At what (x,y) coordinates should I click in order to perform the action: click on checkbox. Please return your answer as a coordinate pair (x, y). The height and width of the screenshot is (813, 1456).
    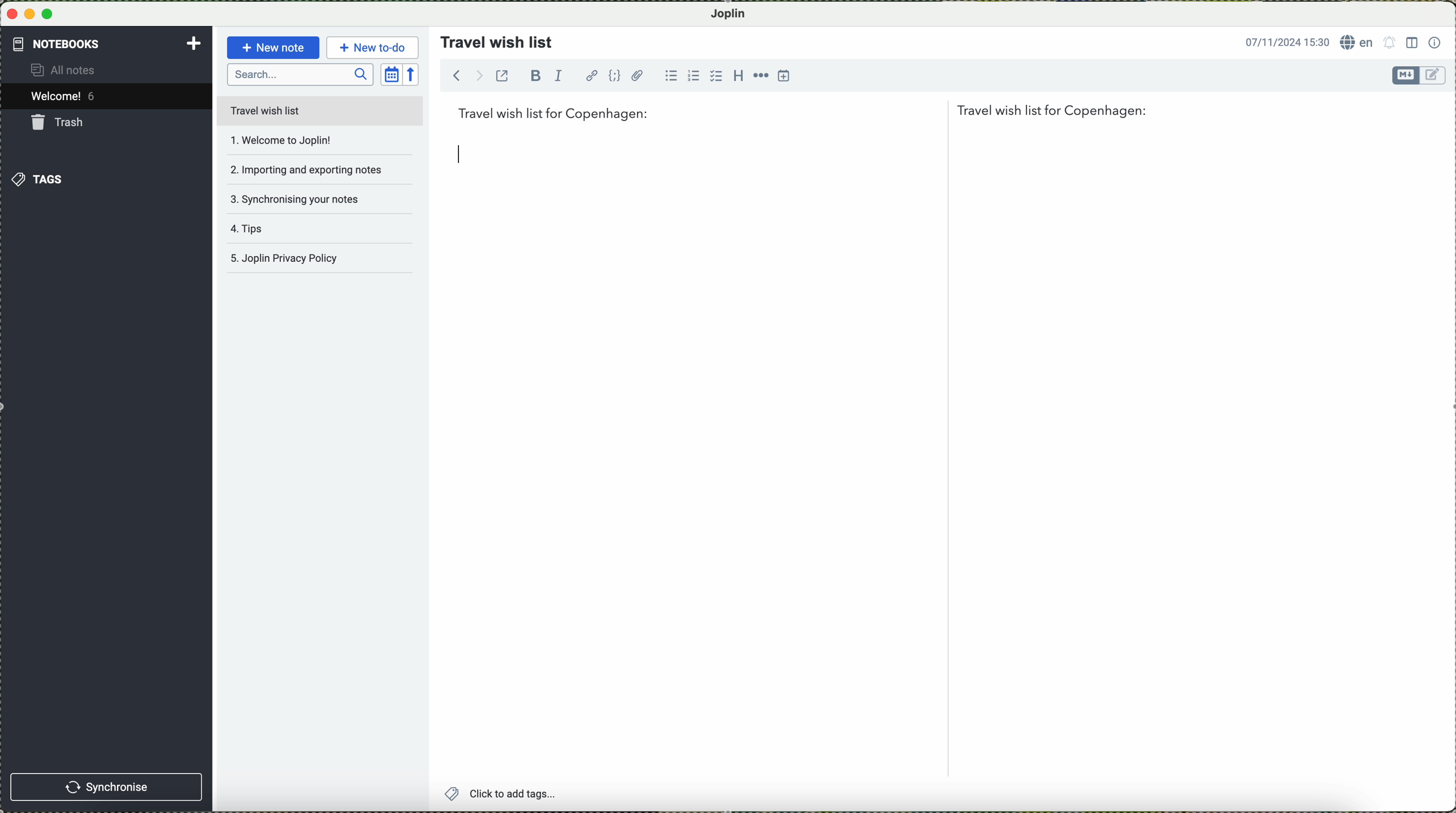
    Looking at the image, I should click on (714, 76).